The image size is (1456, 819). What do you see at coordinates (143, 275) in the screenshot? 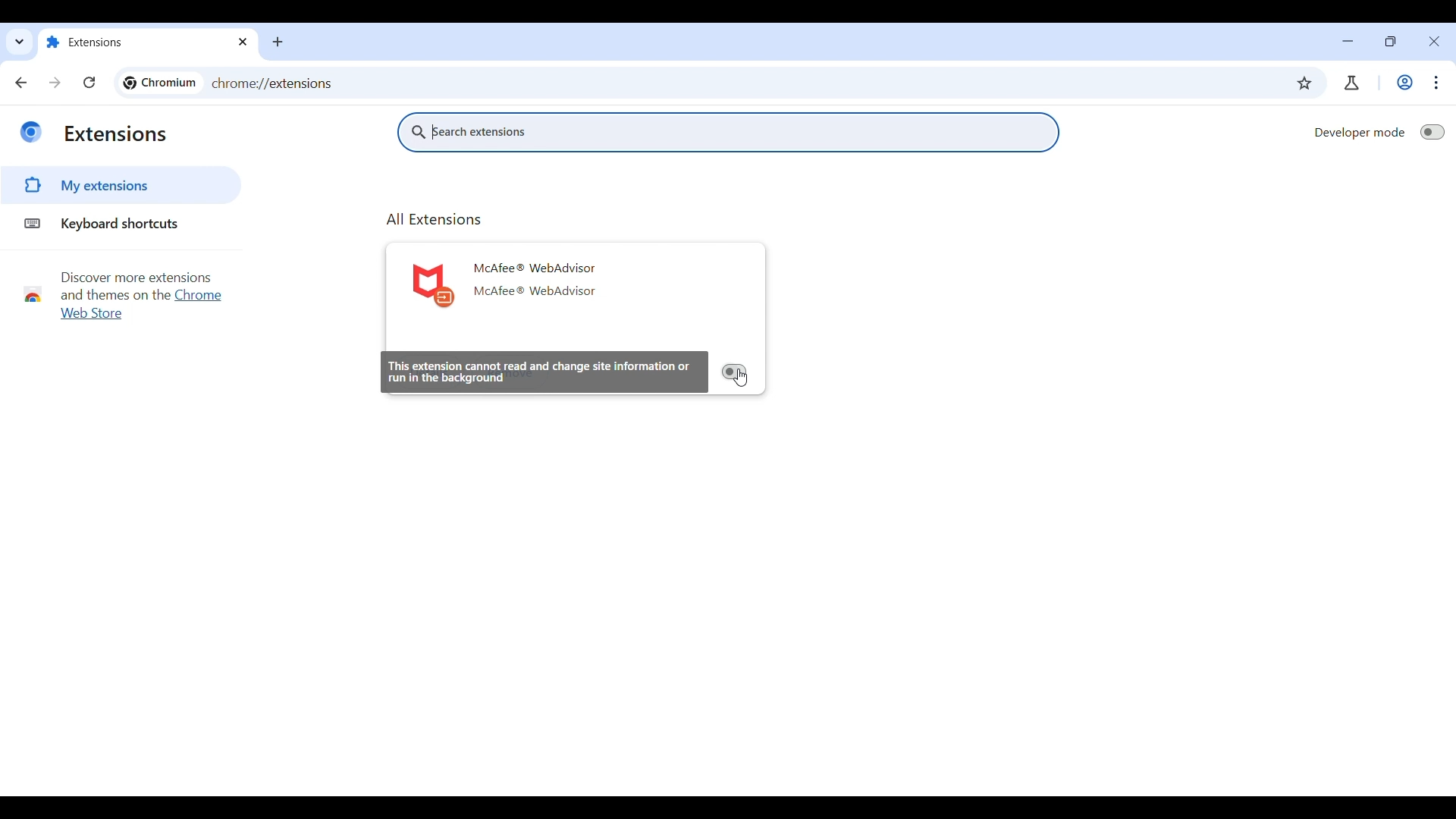
I see `Discover more extensions` at bounding box center [143, 275].